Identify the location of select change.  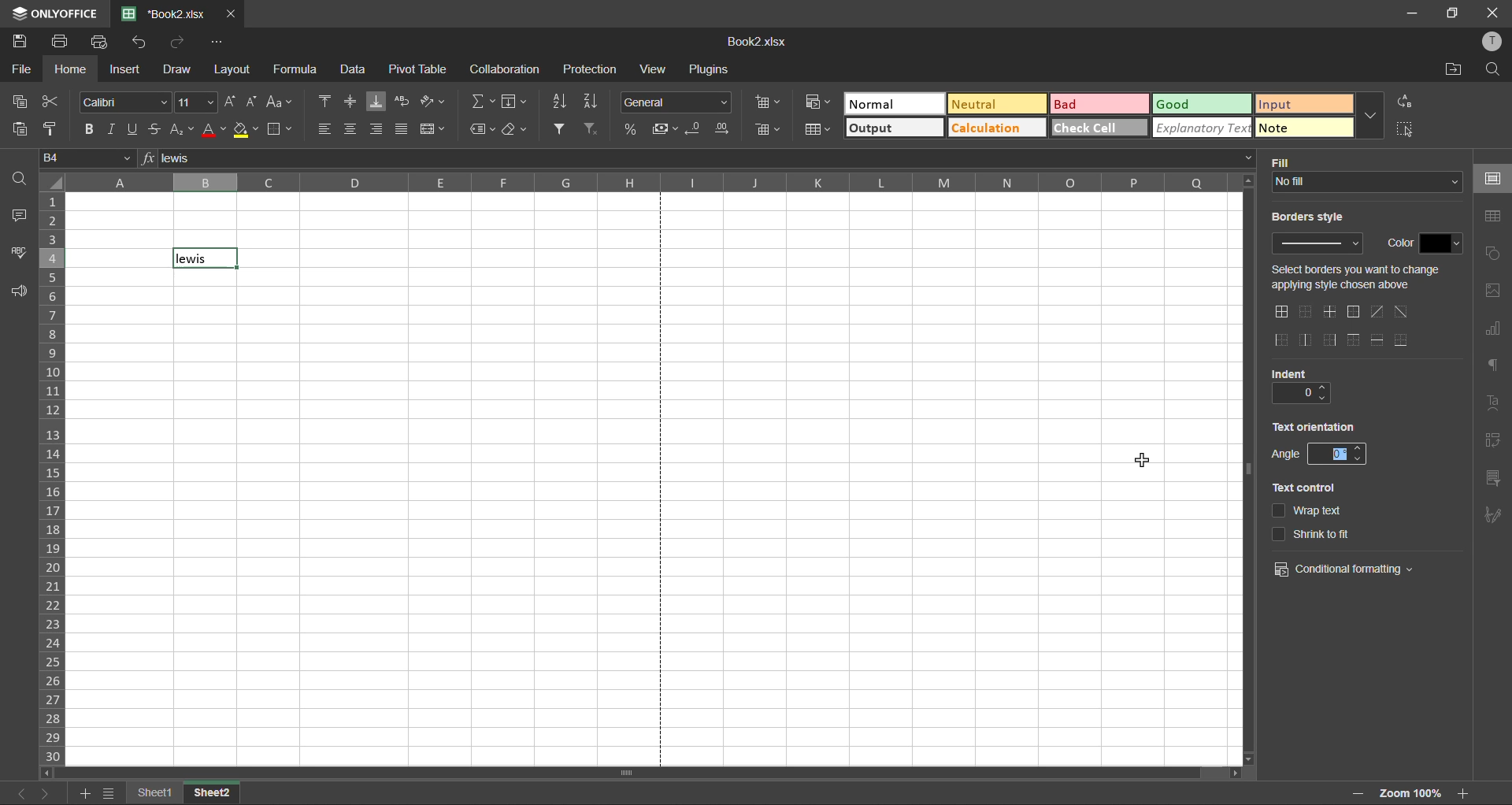
(1361, 277).